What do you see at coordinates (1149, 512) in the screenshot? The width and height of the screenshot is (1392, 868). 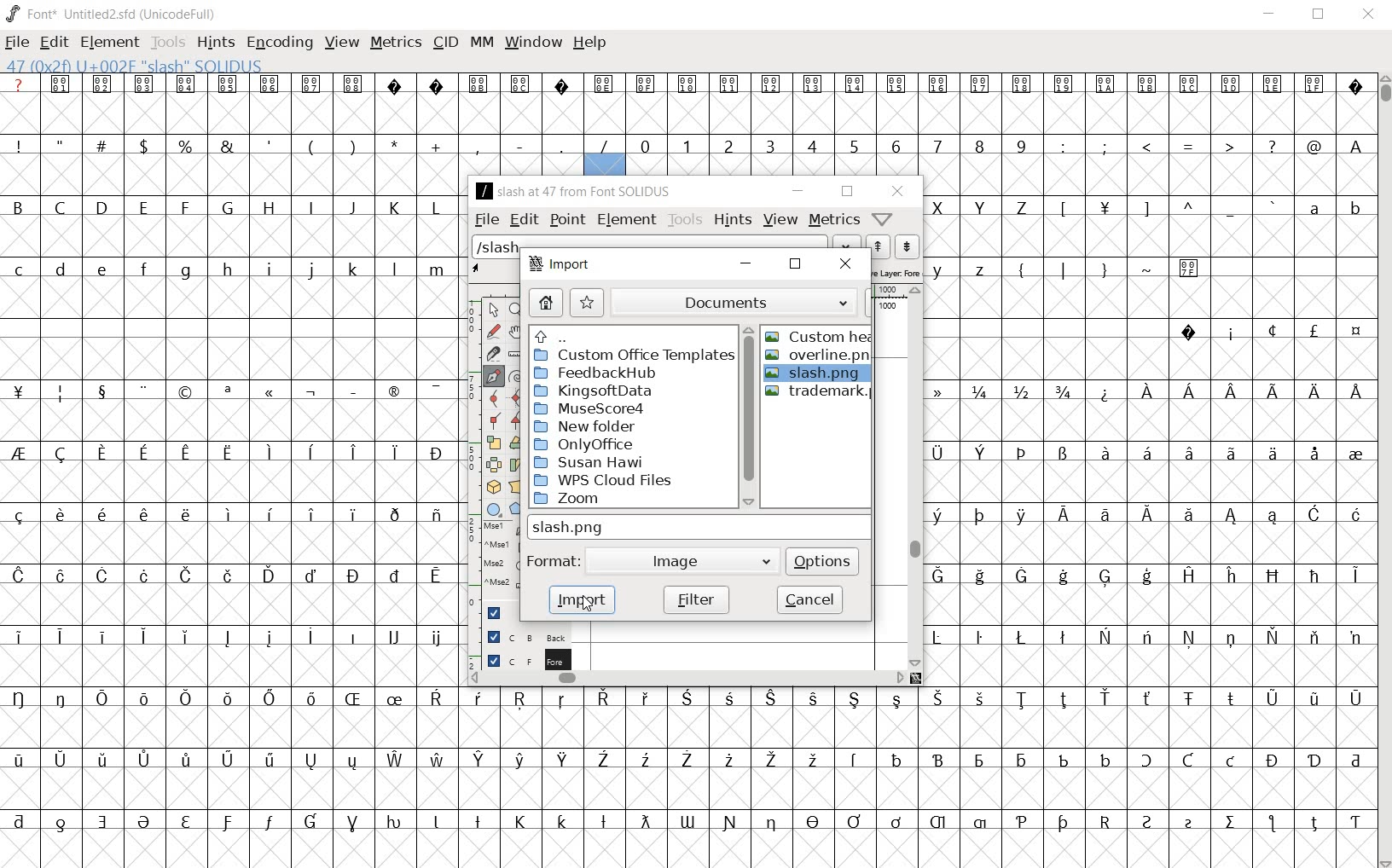 I see `special letters` at bounding box center [1149, 512].